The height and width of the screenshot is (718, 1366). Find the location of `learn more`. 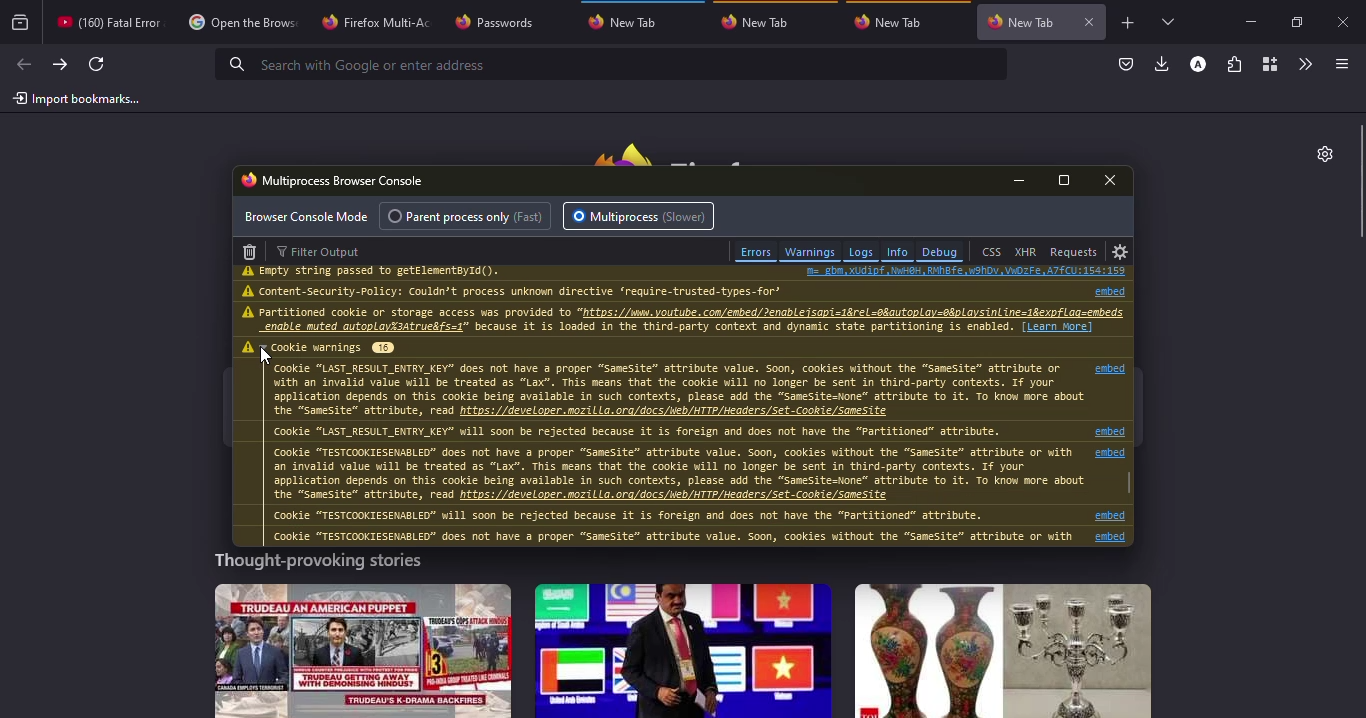

learn more is located at coordinates (1058, 326).